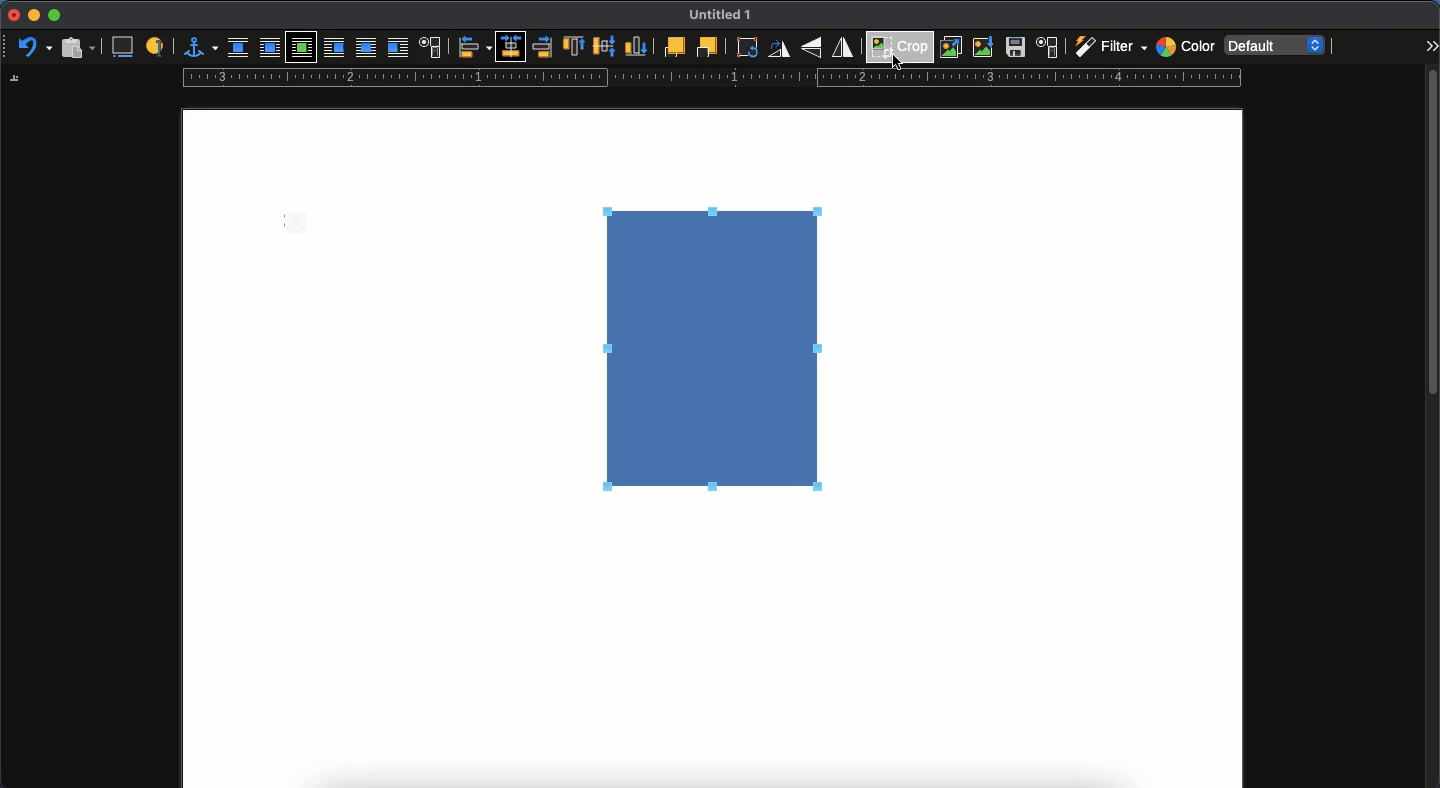 Image resolution: width=1440 pixels, height=788 pixels. What do you see at coordinates (333, 49) in the screenshot?
I see `before` at bounding box center [333, 49].